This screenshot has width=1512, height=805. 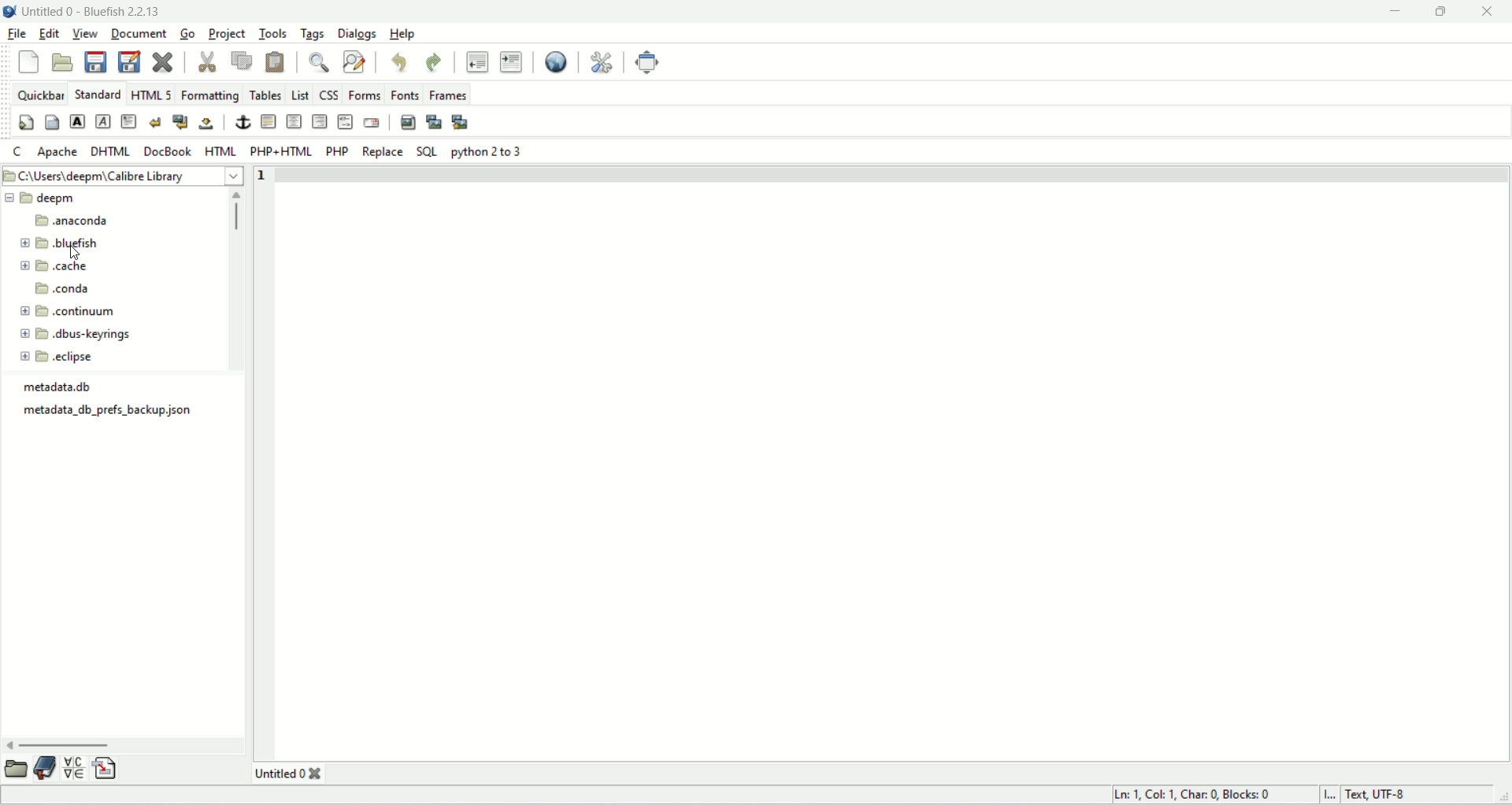 What do you see at coordinates (67, 311) in the screenshot?
I see `continuum` at bounding box center [67, 311].